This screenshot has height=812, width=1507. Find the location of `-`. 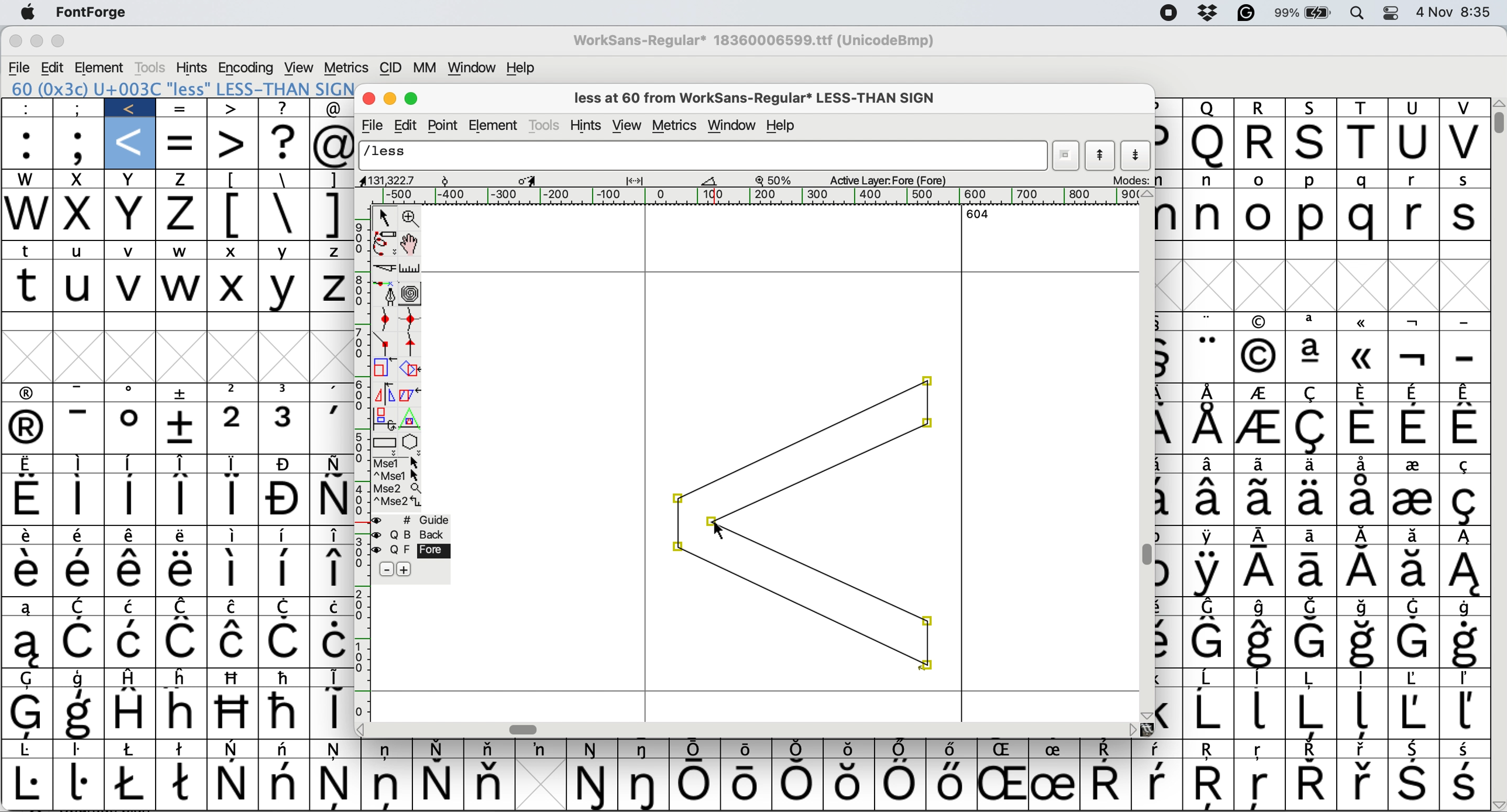

- is located at coordinates (1465, 323).